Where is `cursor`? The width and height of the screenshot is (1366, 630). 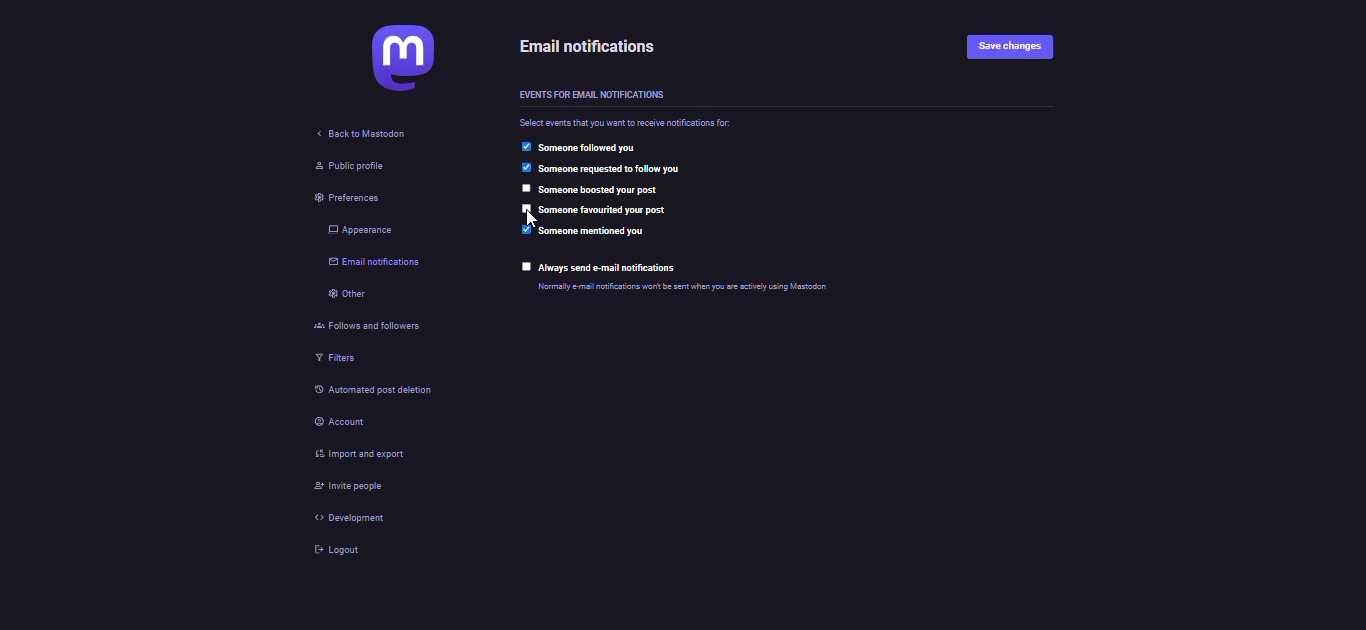 cursor is located at coordinates (531, 220).